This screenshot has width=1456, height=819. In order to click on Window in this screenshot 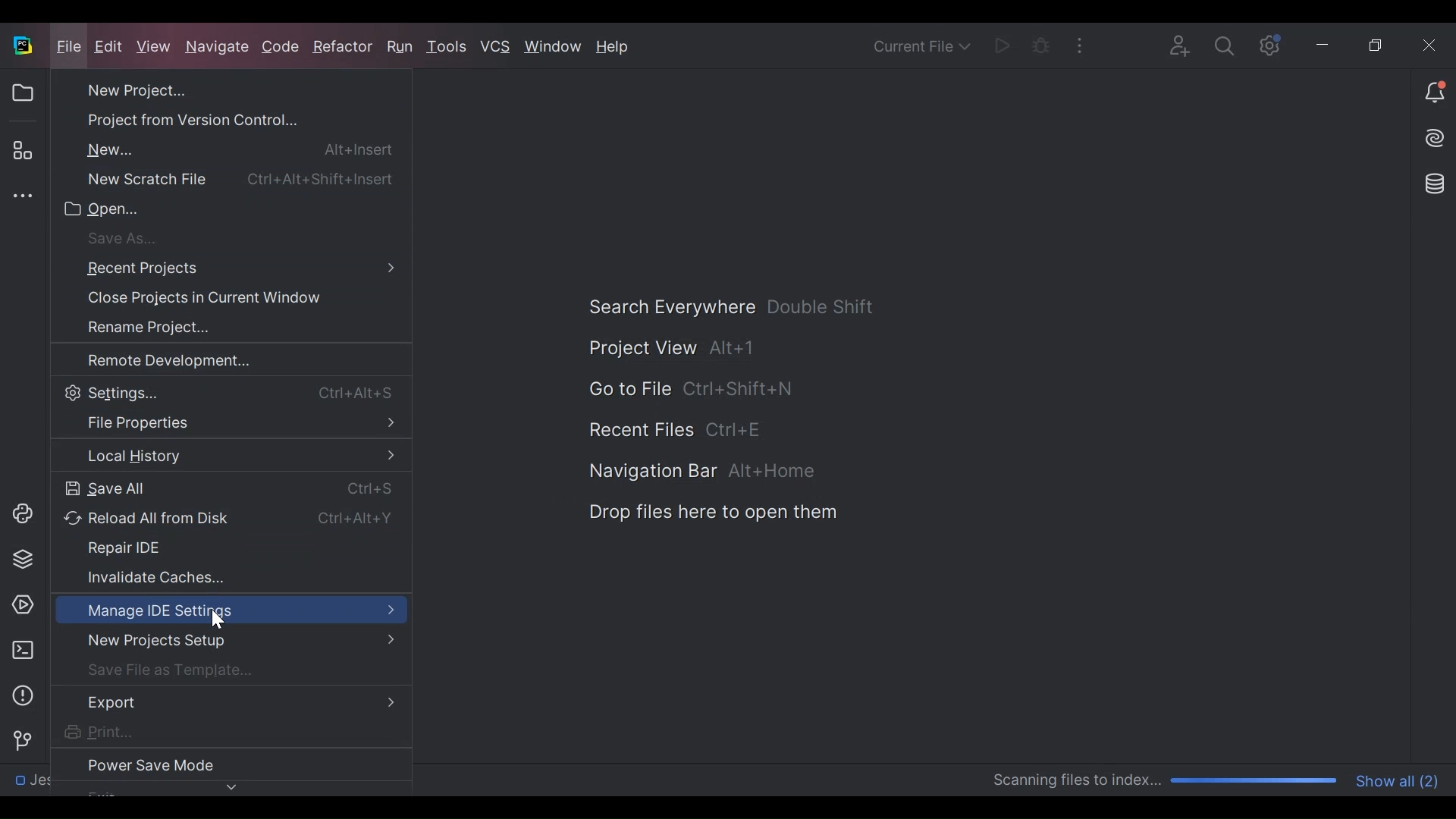, I will do `click(554, 46)`.